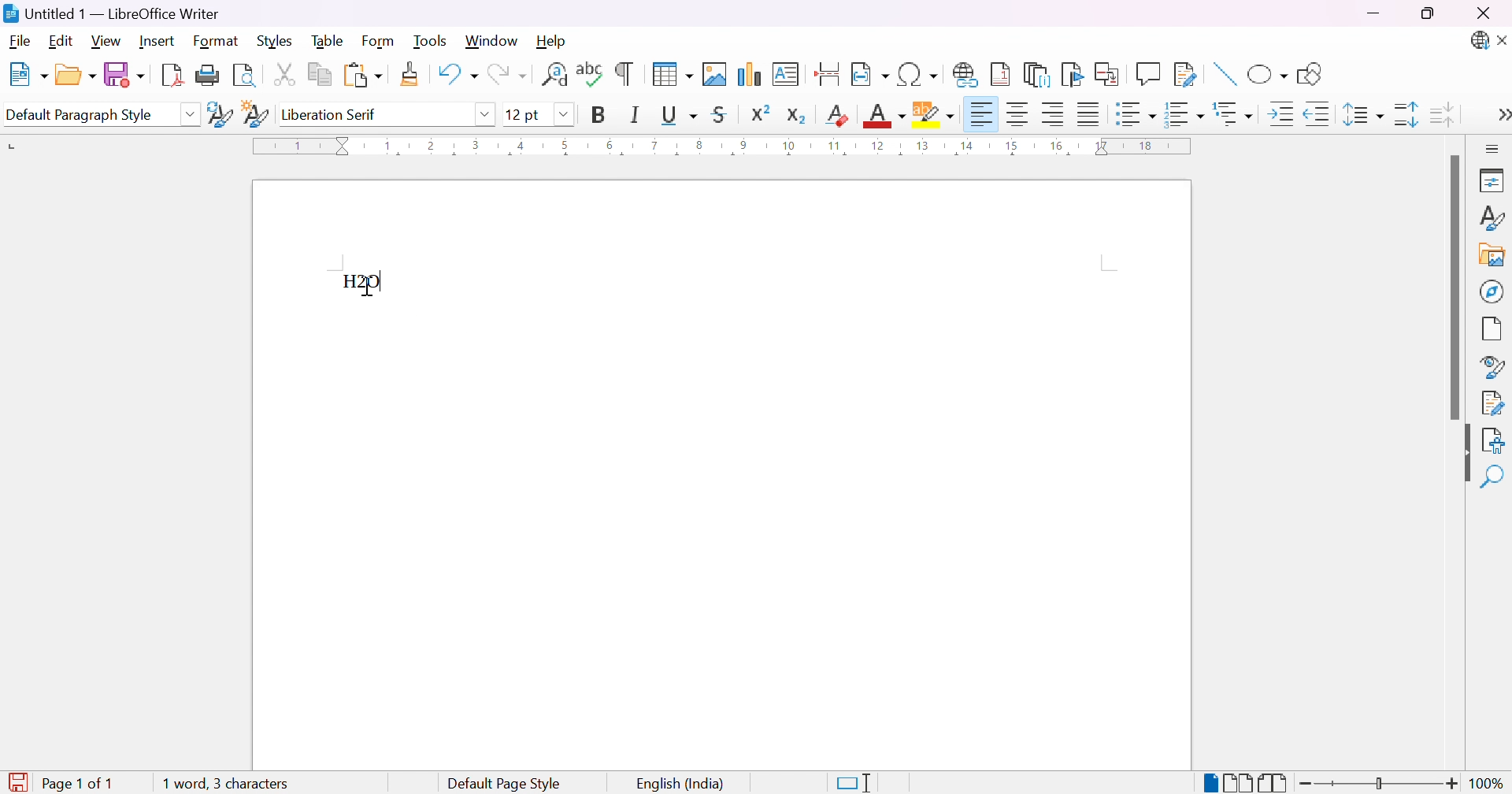 Image resolution: width=1512 pixels, height=794 pixels. What do you see at coordinates (504, 784) in the screenshot?
I see `Default page style` at bounding box center [504, 784].